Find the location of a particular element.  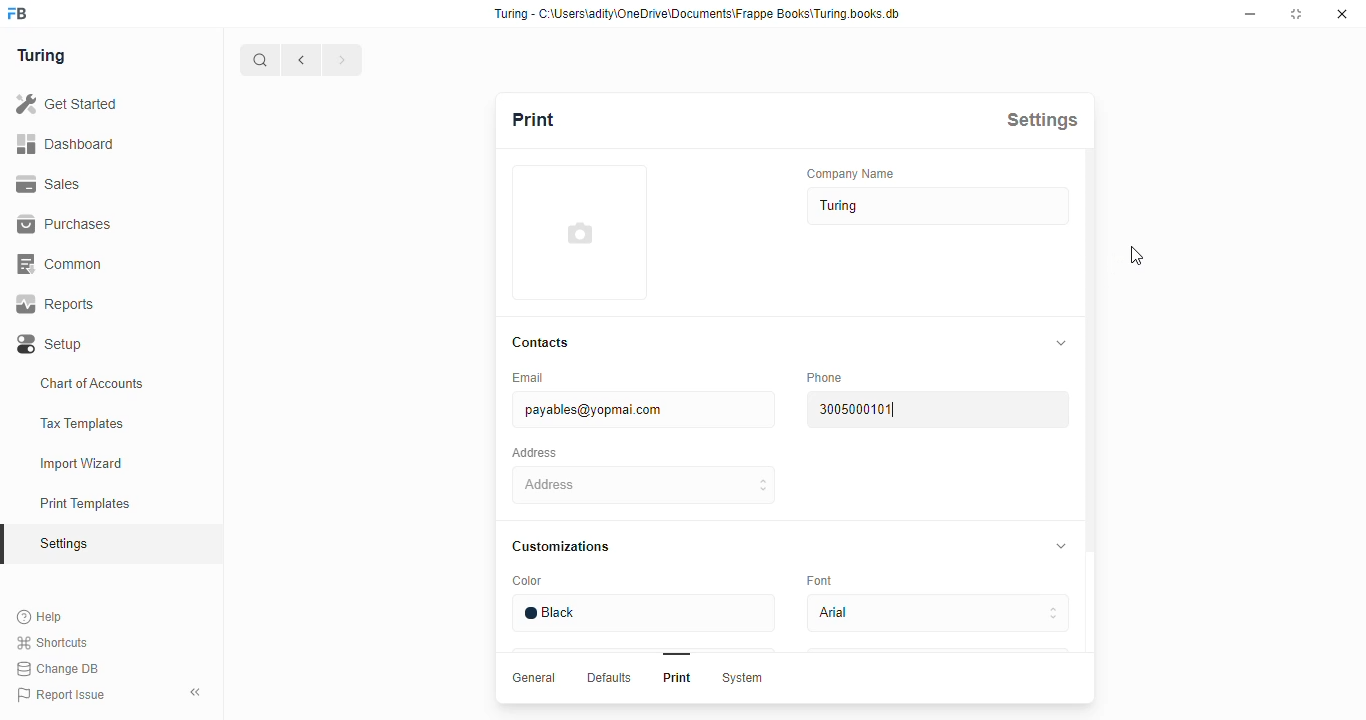

search  is located at coordinates (261, 59).